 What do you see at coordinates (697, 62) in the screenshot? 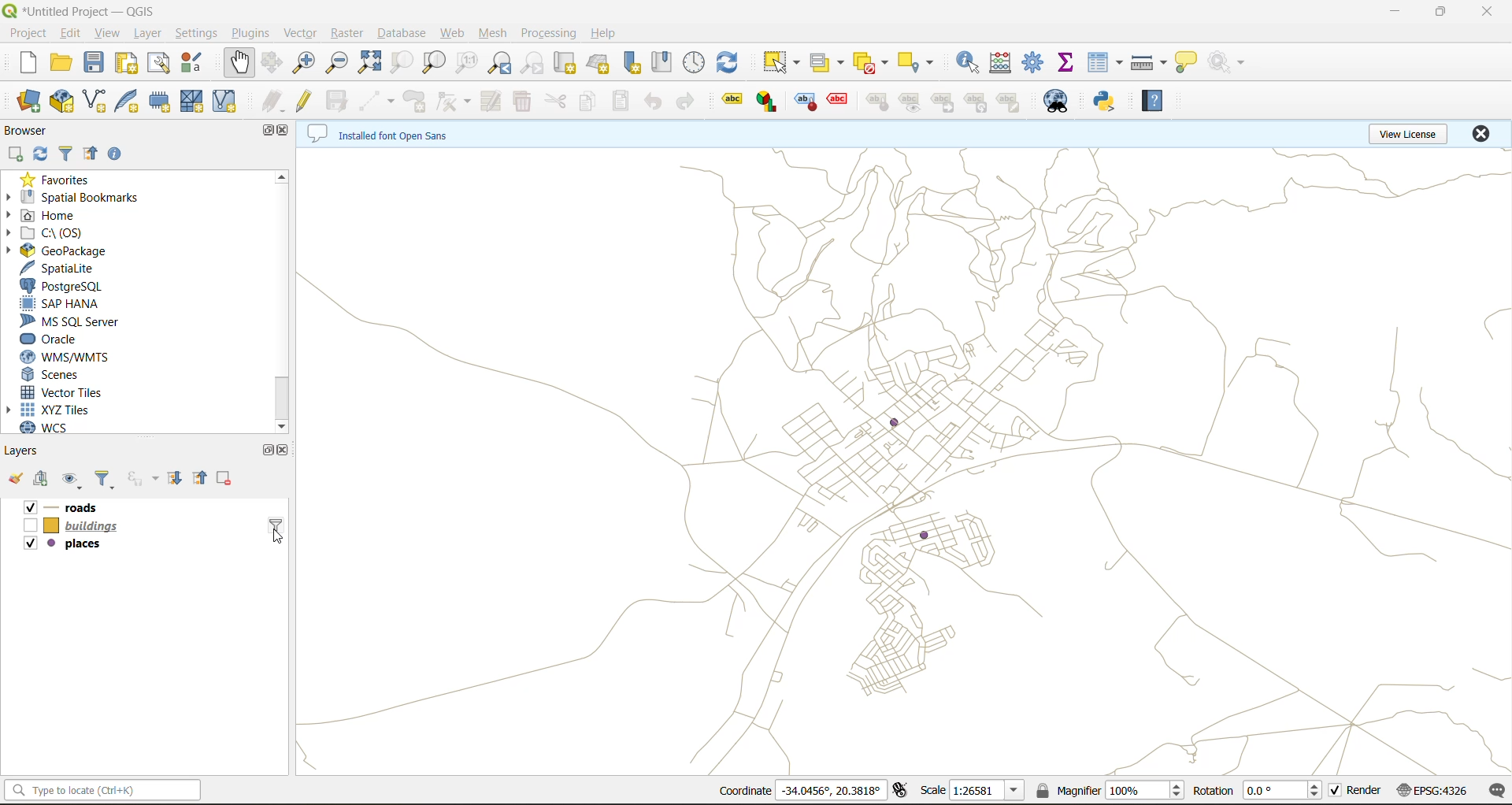
I see `control panel` at bounding box center [697, 62].